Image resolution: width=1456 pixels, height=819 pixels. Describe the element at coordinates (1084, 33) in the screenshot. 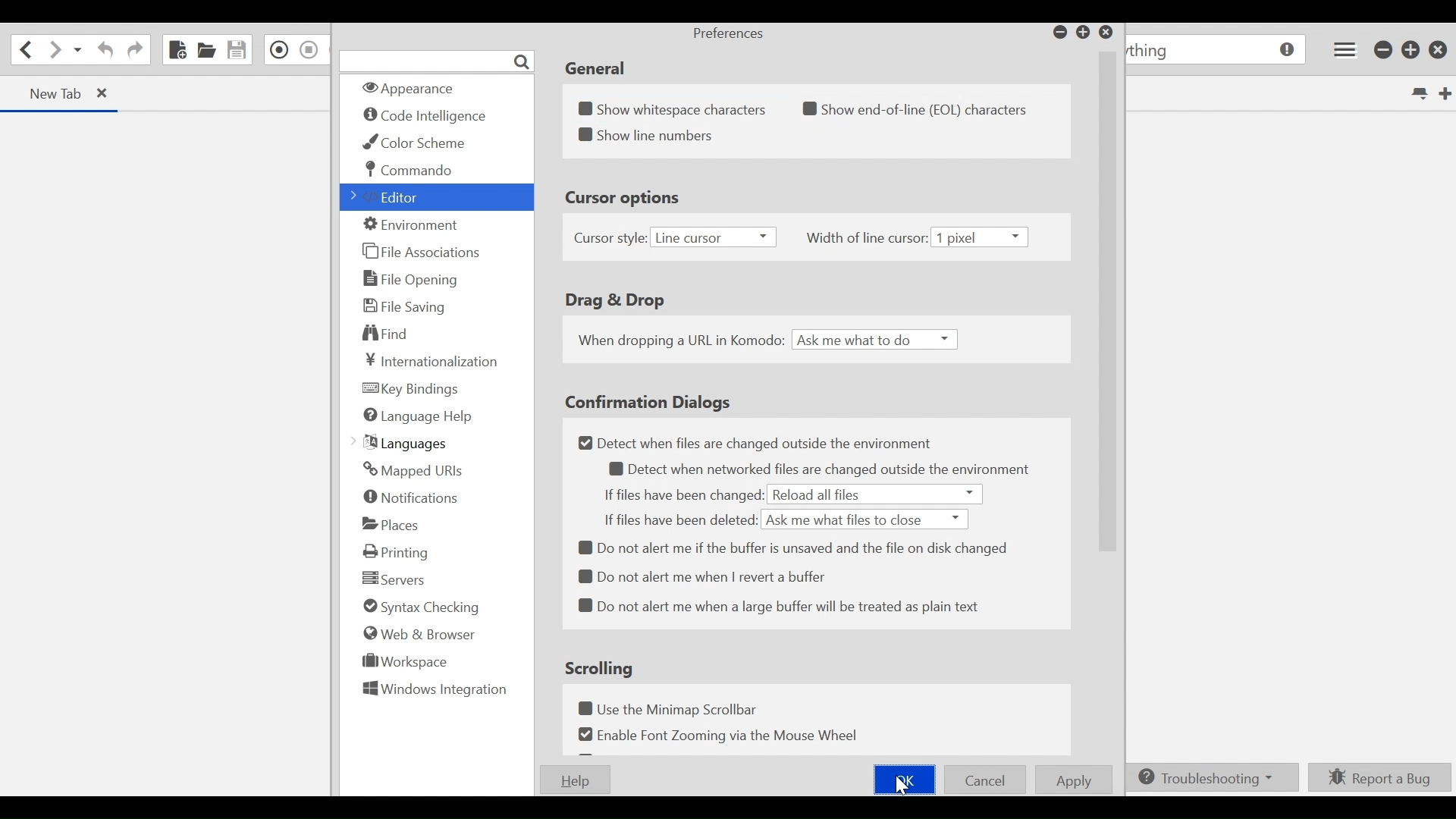

I see `restore` at that location.